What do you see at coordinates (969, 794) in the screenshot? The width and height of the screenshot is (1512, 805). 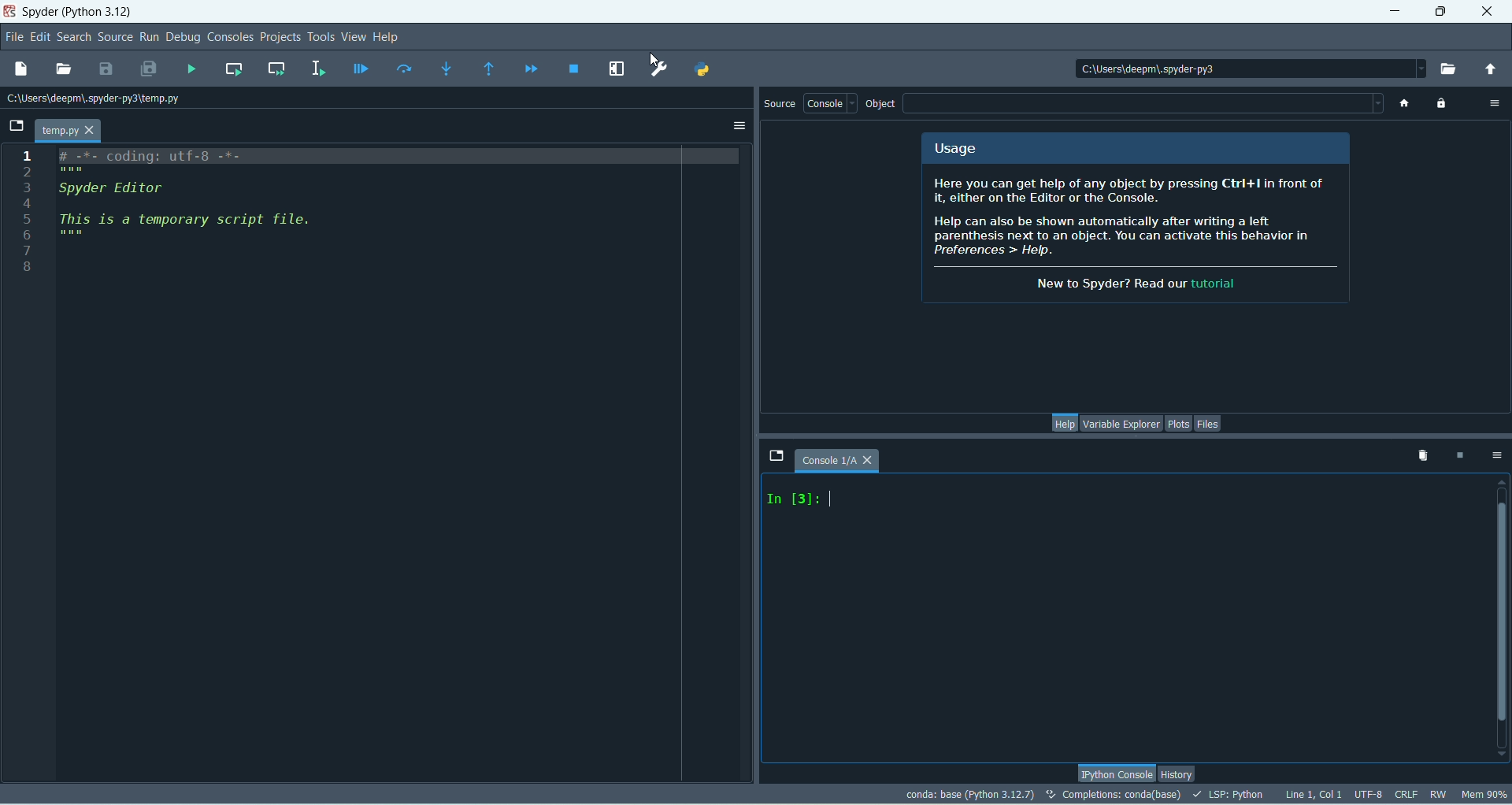 I see `conda:base` at bounding box center [969, 794].